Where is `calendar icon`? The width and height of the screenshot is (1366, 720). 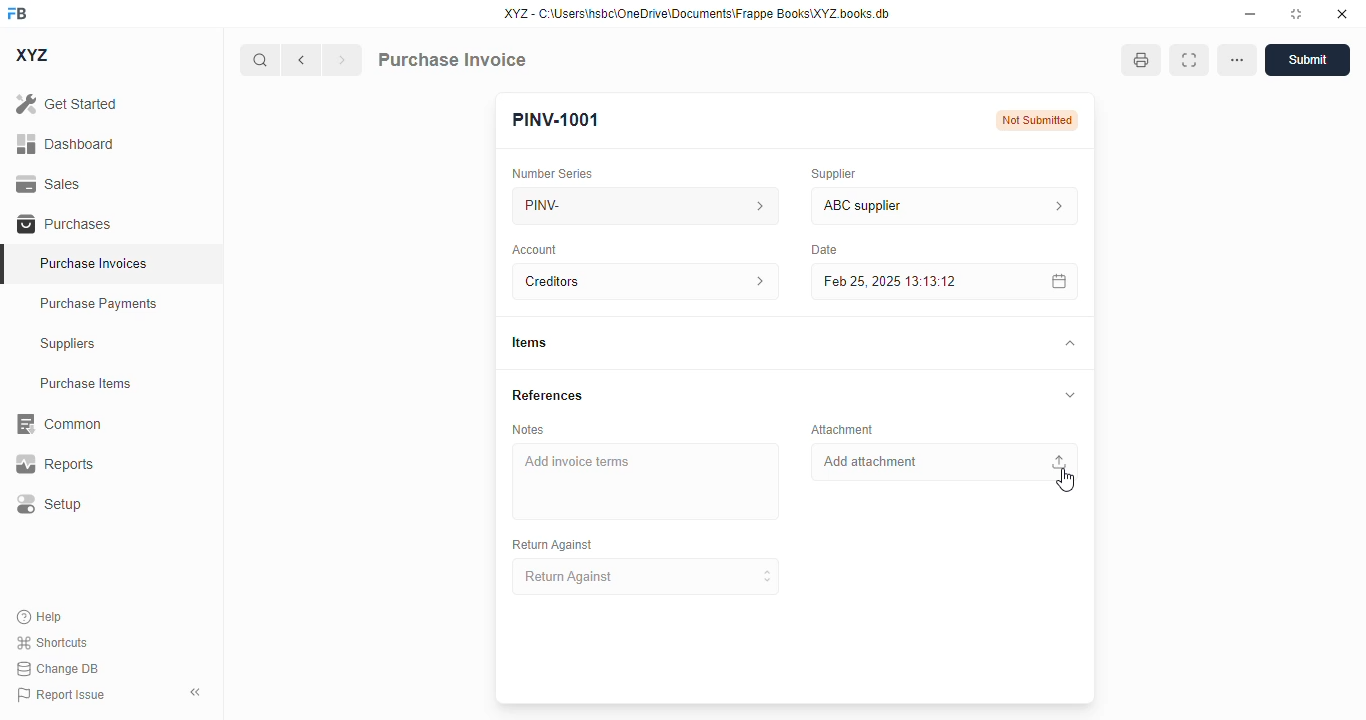
calendar icon is located at coordinates (1055, 281).